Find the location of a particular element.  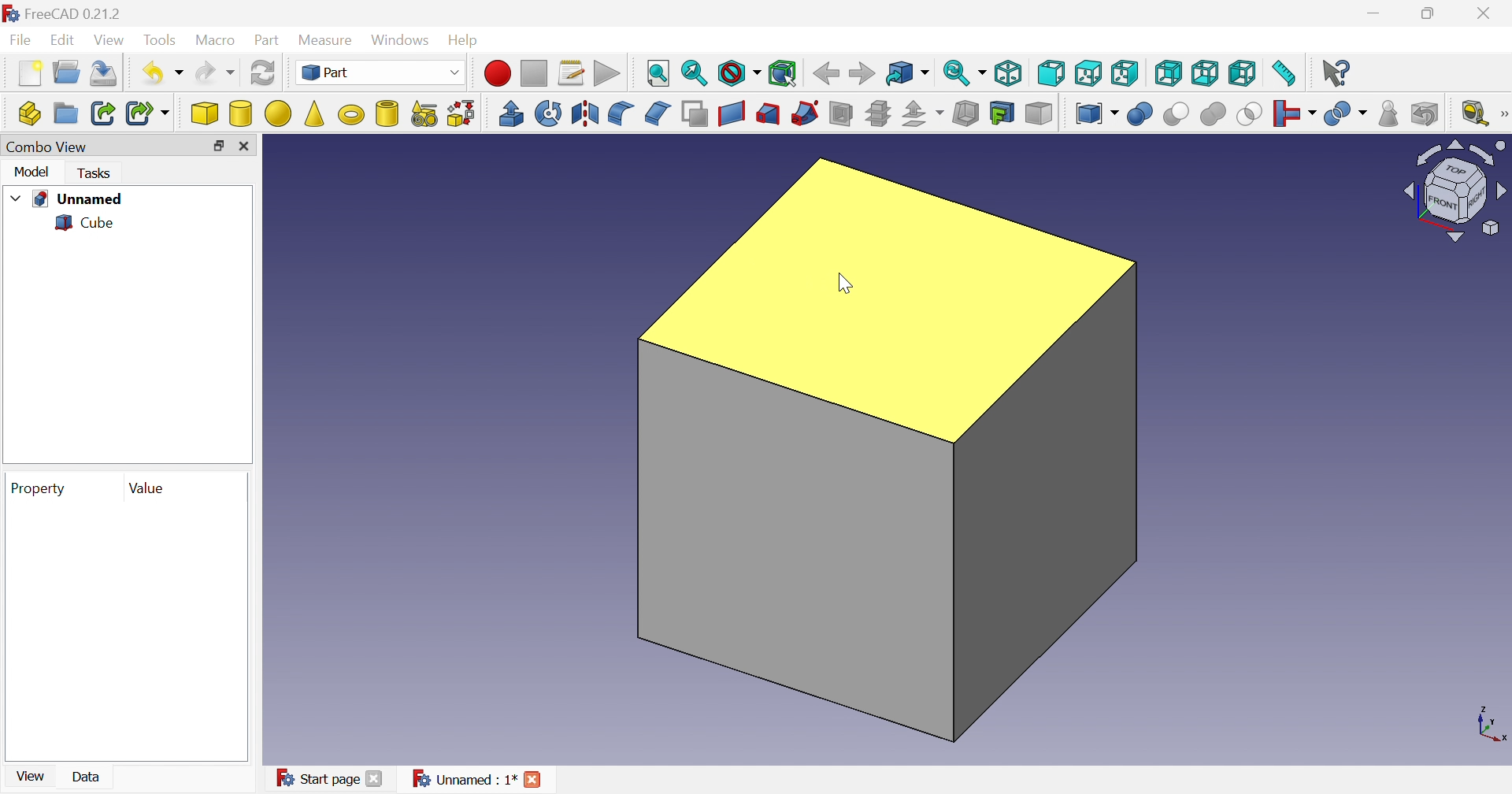

New is located at coordinates (31, 73).